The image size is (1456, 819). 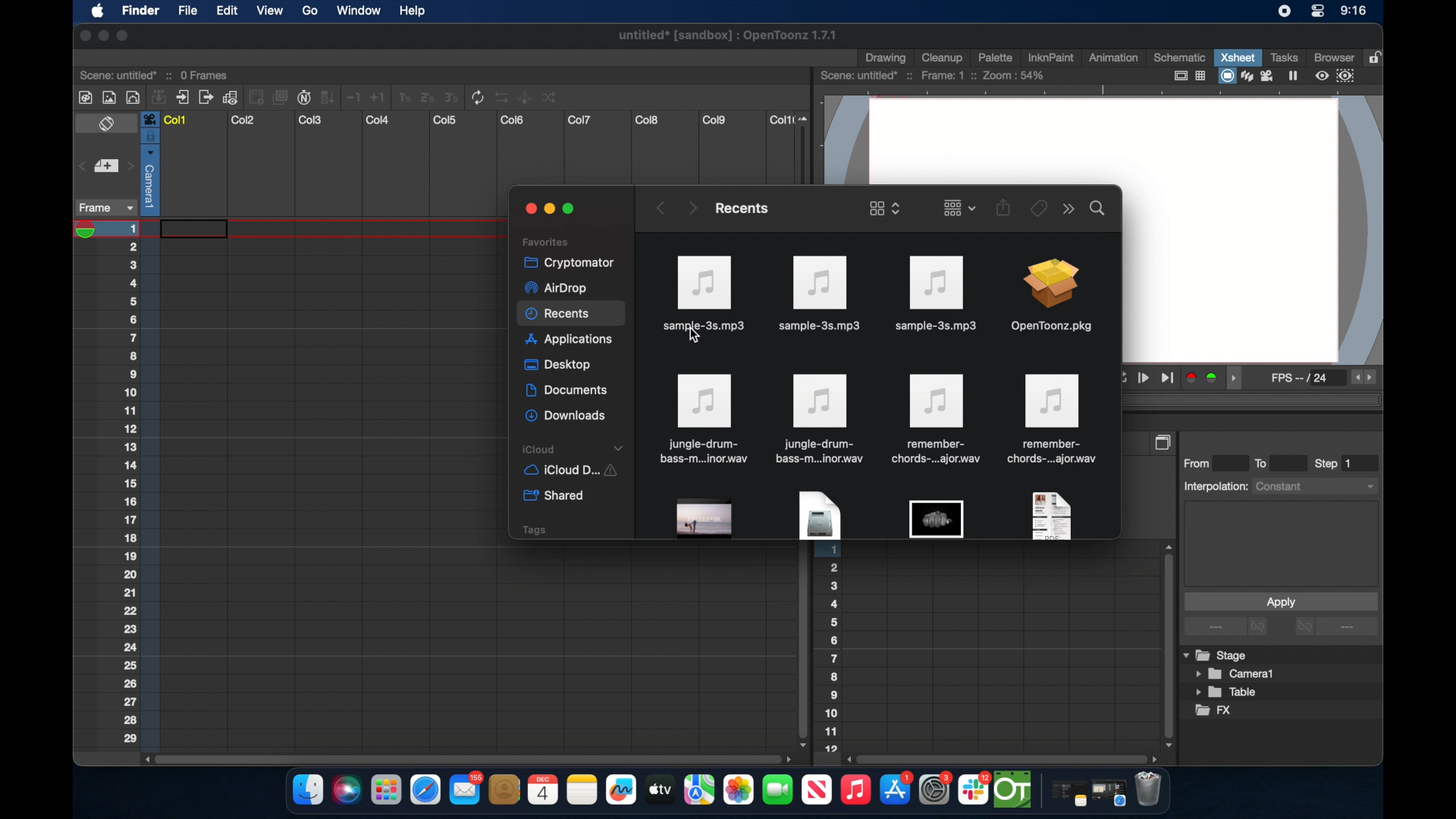 What do you see at coordinates (385, 792) in the screenshot?
I see `launchpad` at bounding box center [385, 792].